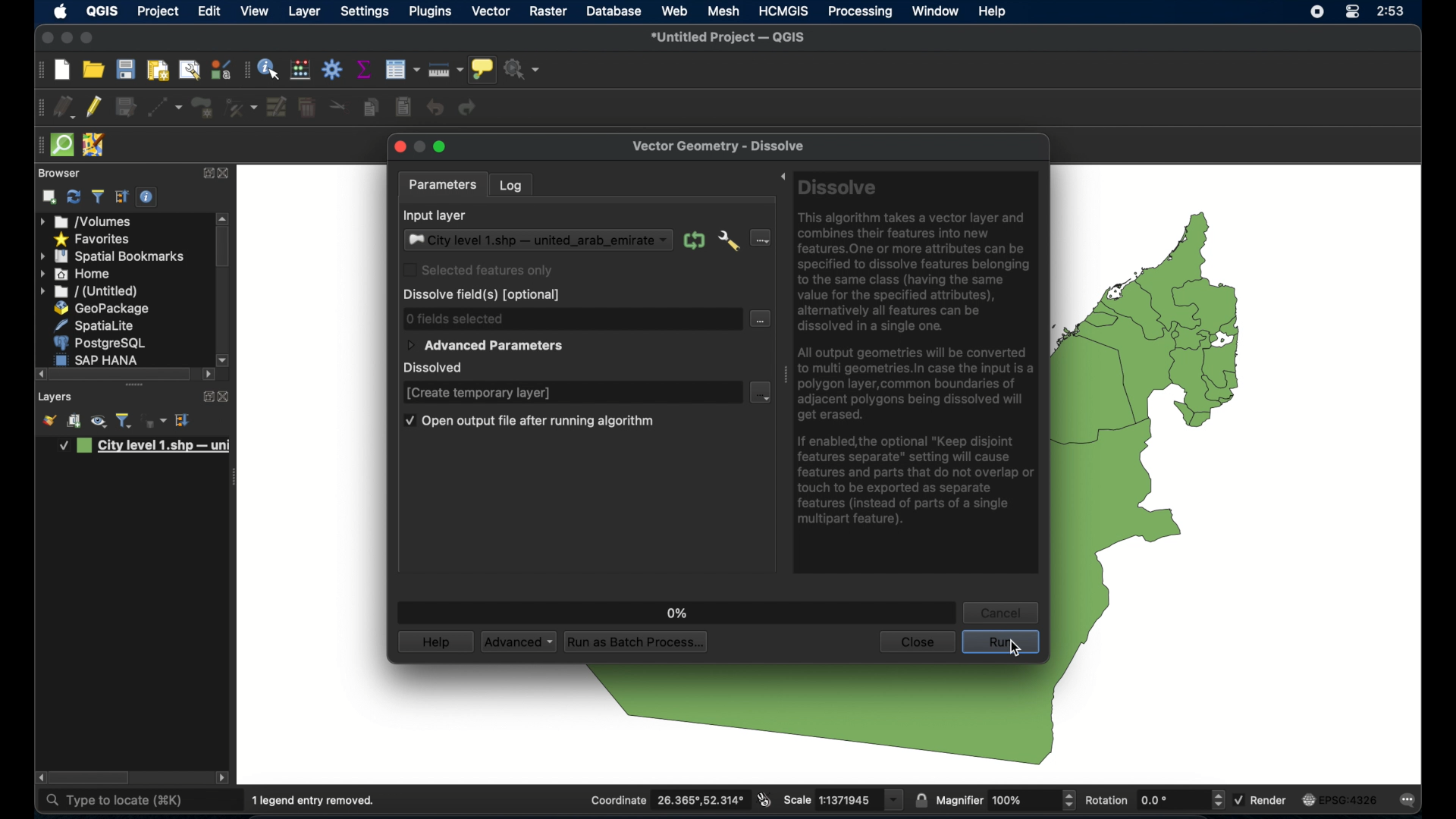 The image size is (1456, 819). I want to click on selected features only, so click(478, 270).